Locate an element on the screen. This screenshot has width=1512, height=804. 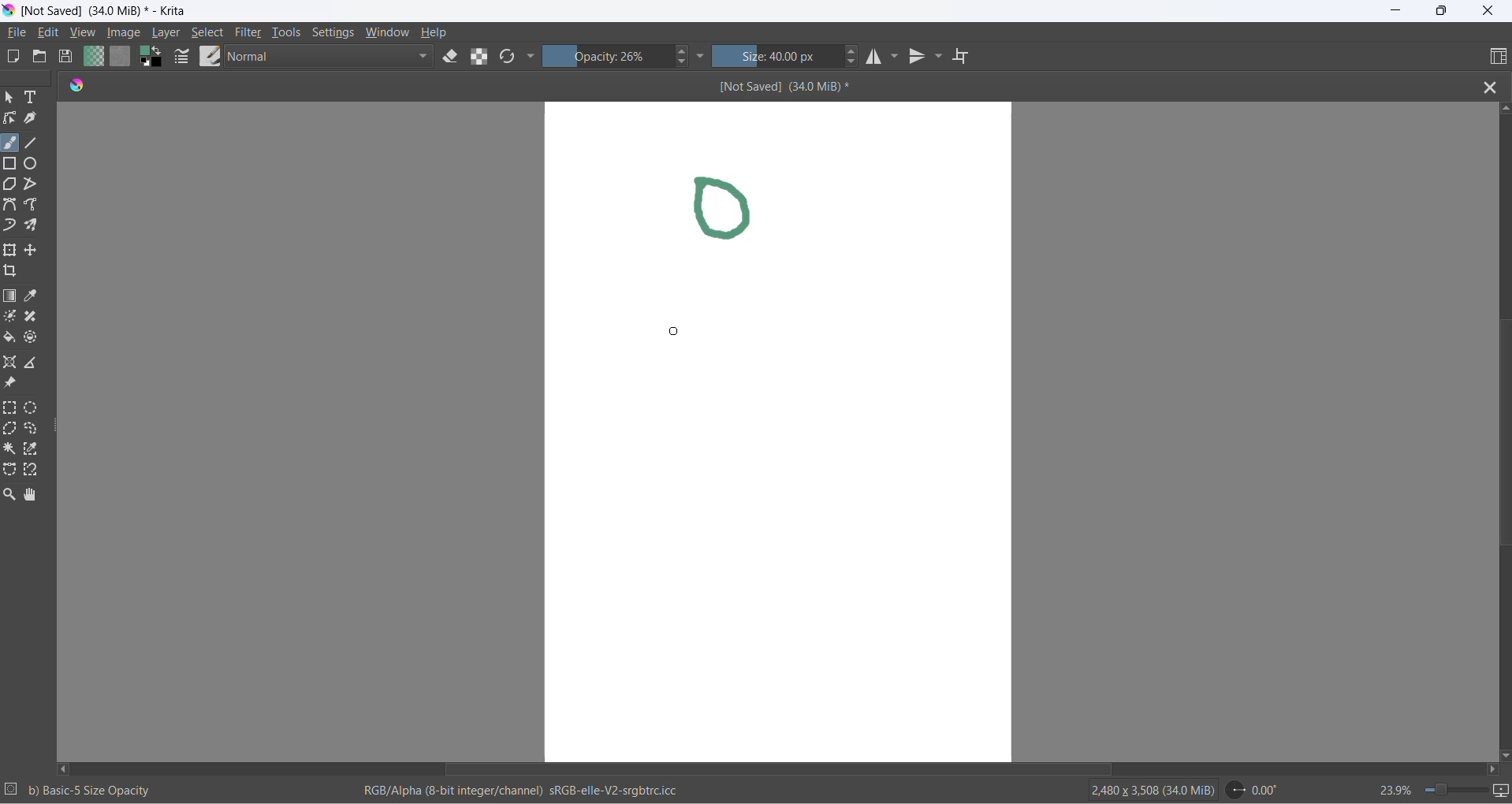
pan tool is located at coordinates (32, 492).